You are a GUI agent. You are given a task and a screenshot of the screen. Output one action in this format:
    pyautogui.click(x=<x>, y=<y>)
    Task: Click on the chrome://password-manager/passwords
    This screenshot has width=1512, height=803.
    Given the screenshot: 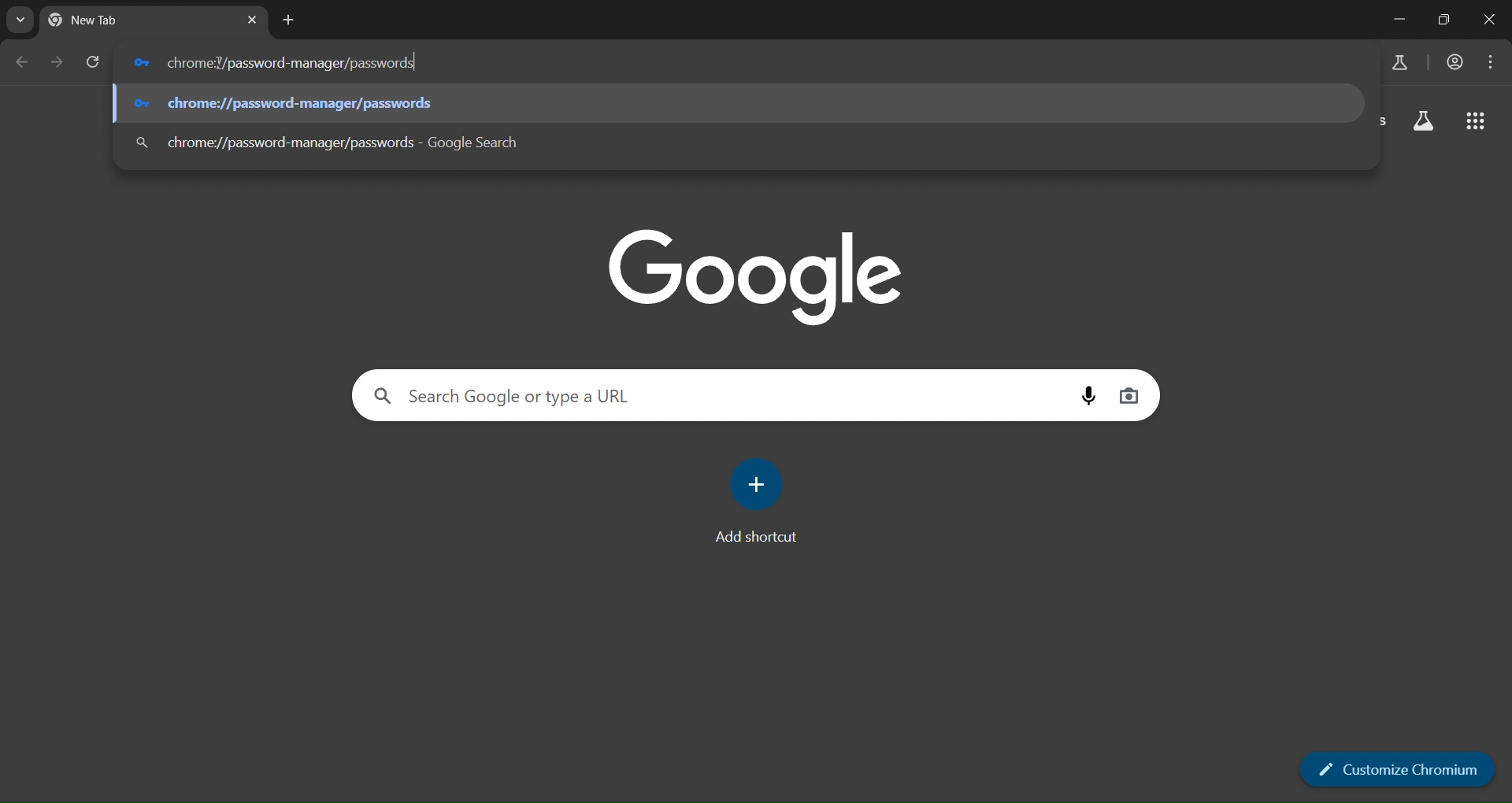 What is the action you would take?
    pyautogui.click(x=276, y=61)
    